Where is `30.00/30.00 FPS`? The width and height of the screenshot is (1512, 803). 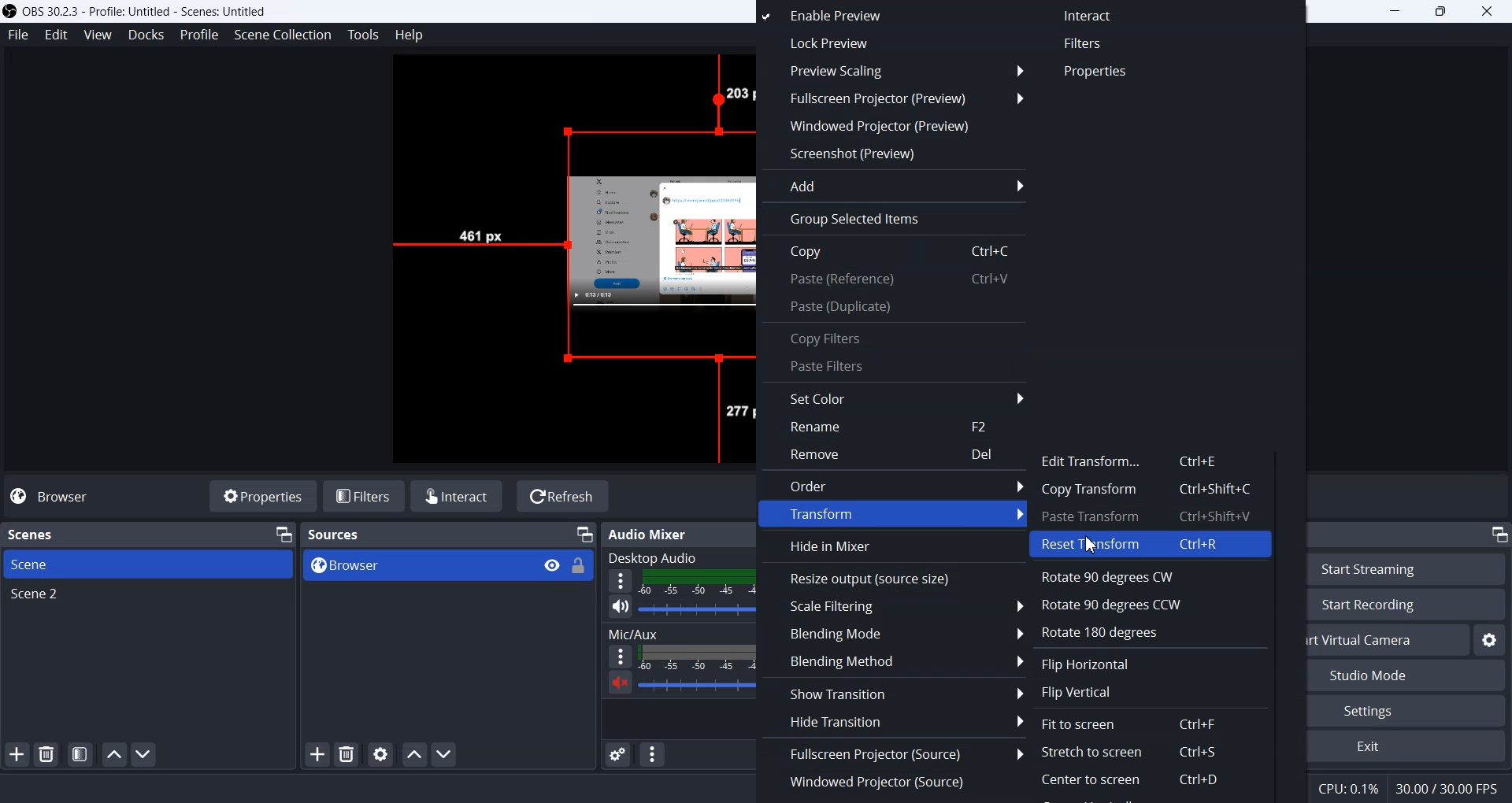 30.00/30.00 FPS is located at coordinates (1451, 787).